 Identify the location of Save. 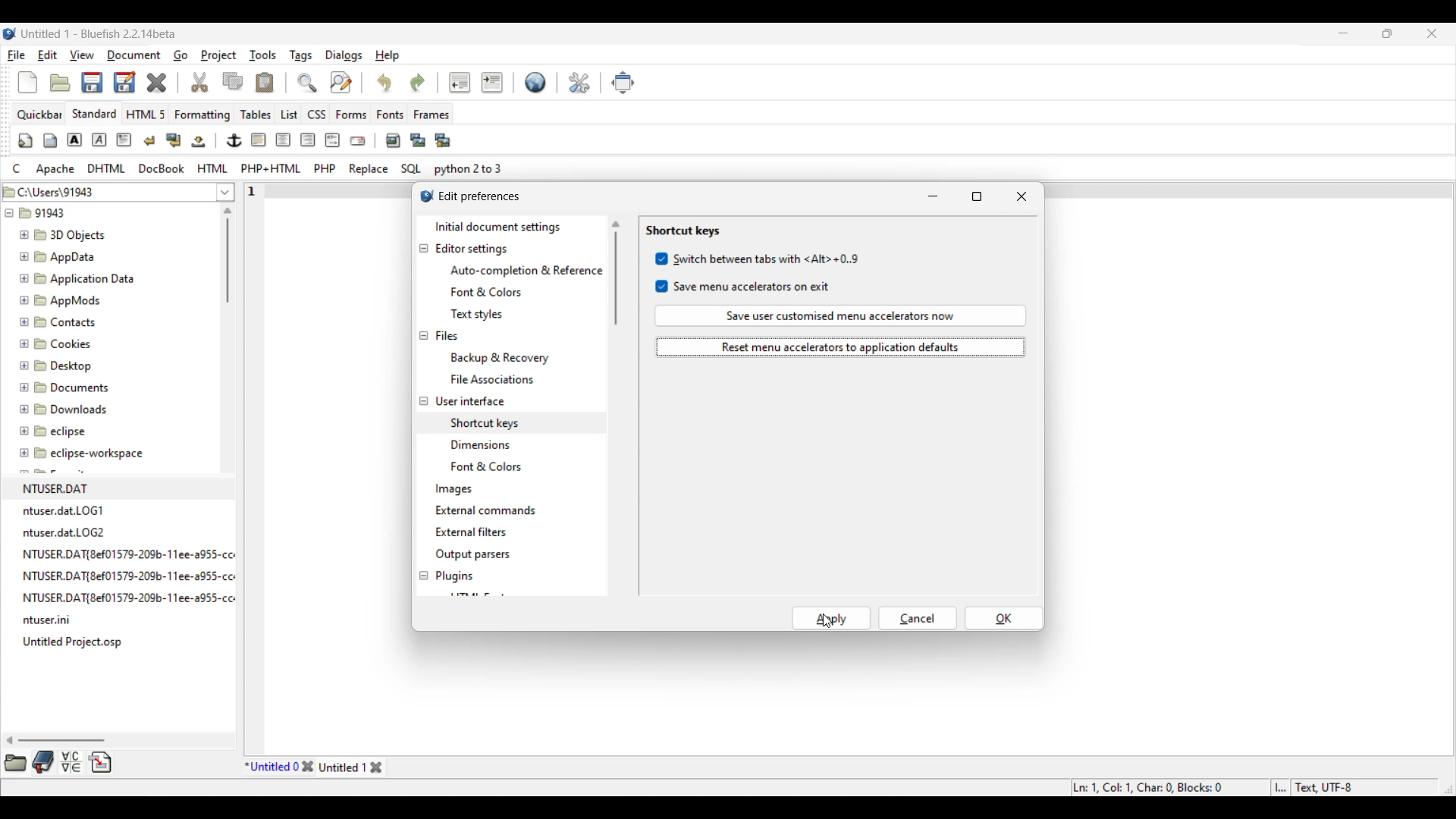
(108, 82).